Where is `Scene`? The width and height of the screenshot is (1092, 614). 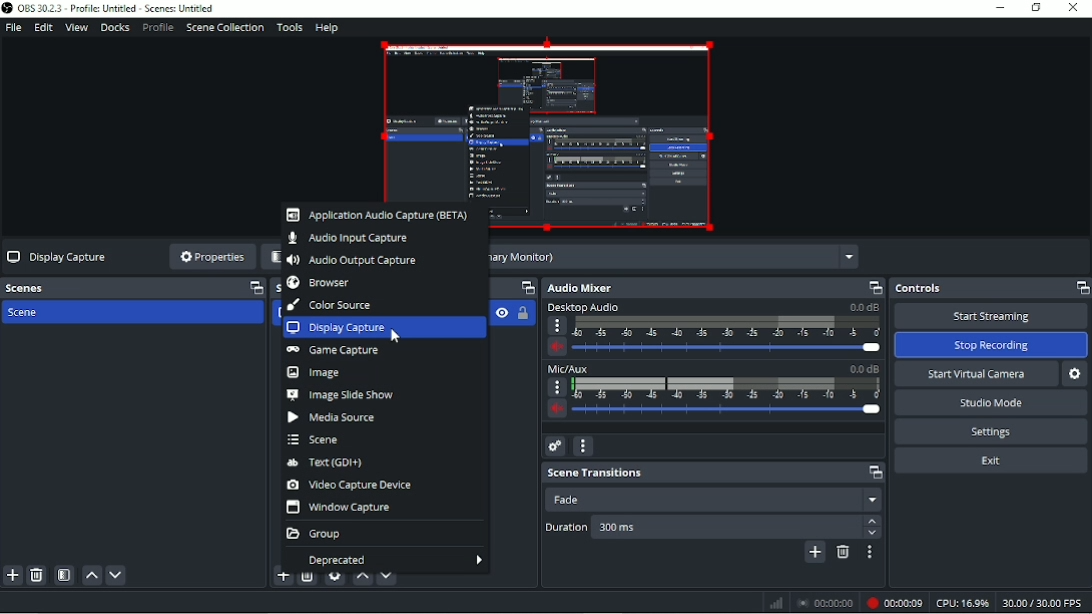 Scene is located at coordinates (29, 314).